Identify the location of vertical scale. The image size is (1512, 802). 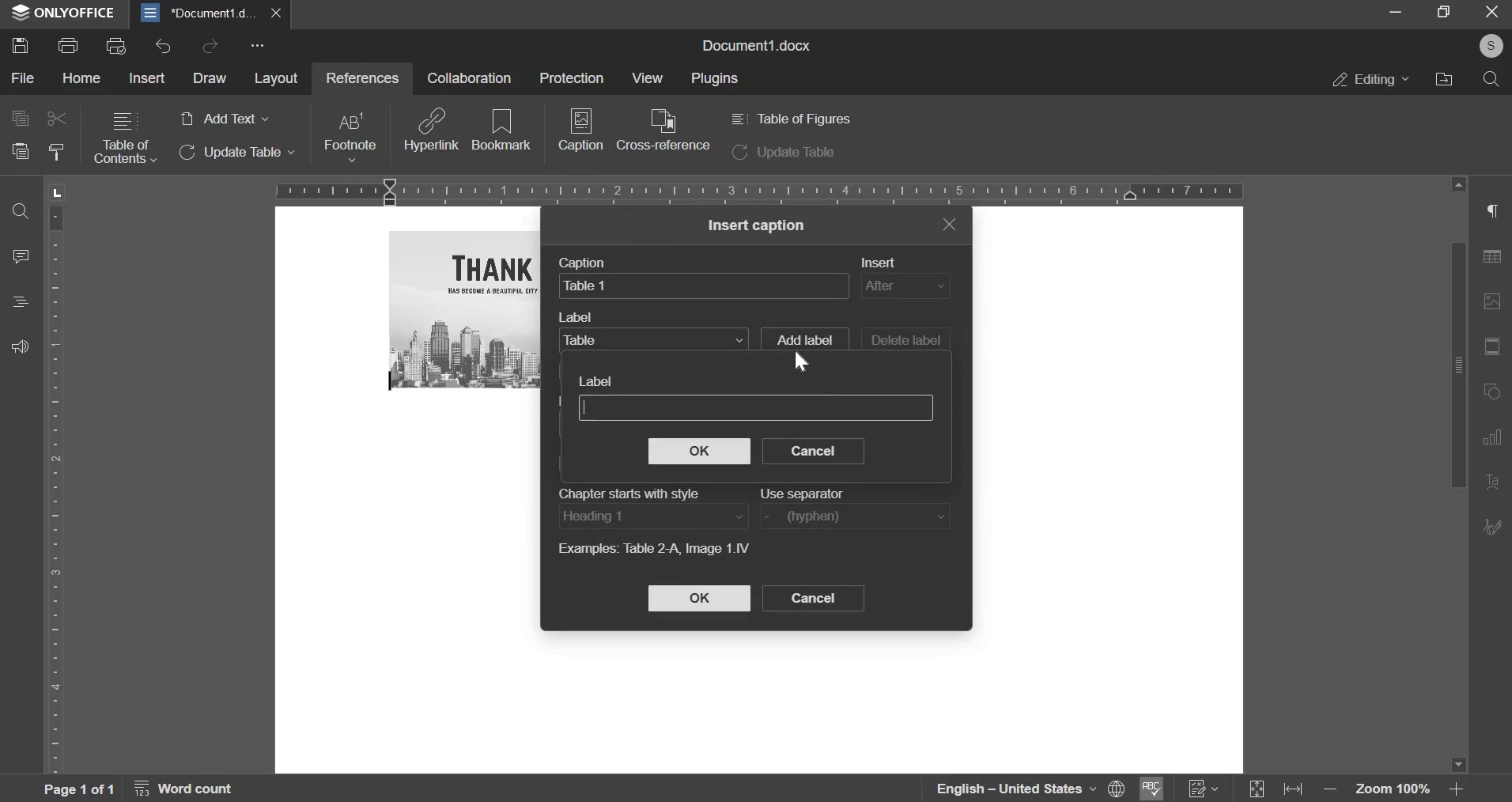
(57, 487).